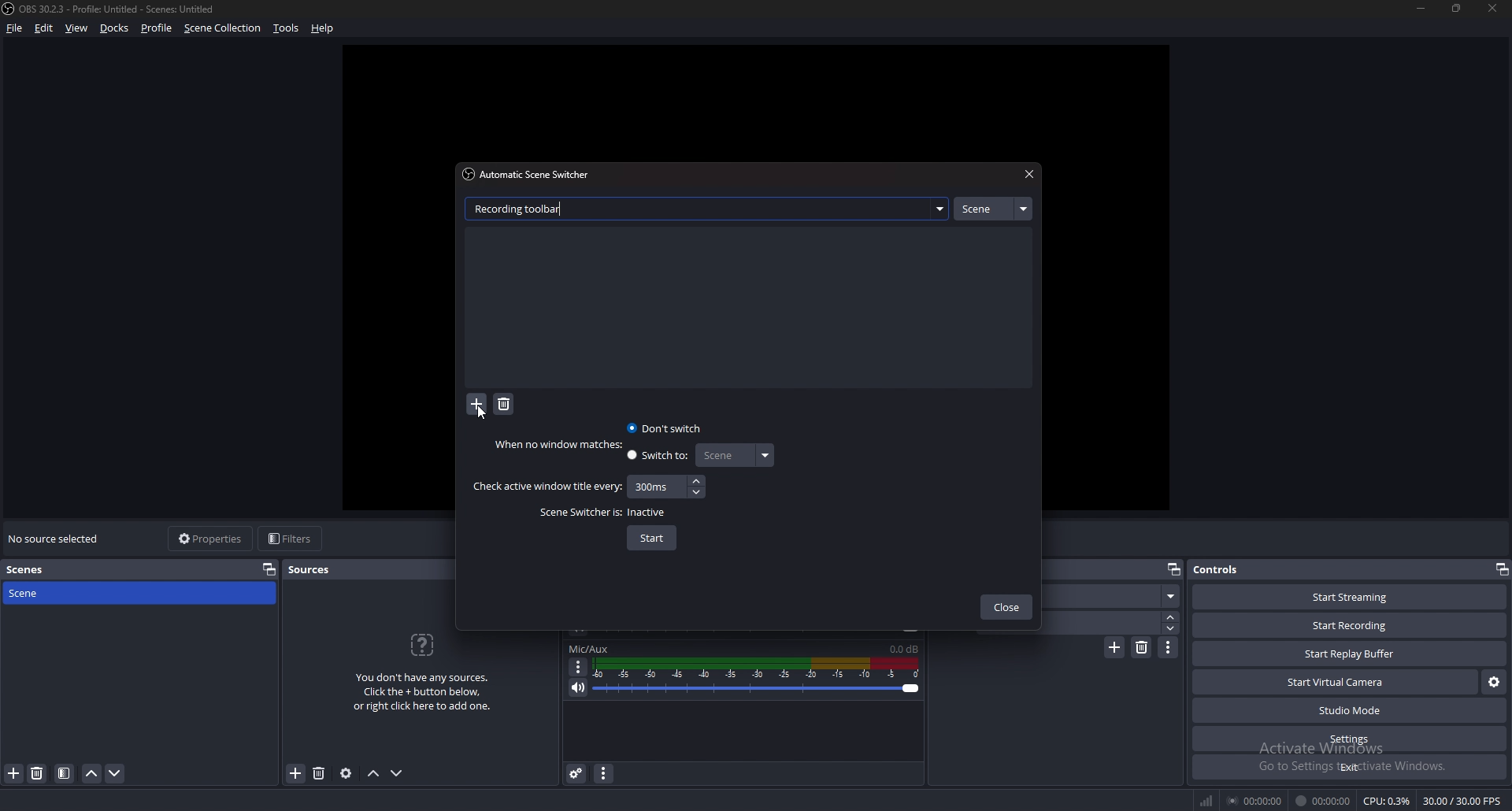  I want to click on scenes, so click(39, 570).